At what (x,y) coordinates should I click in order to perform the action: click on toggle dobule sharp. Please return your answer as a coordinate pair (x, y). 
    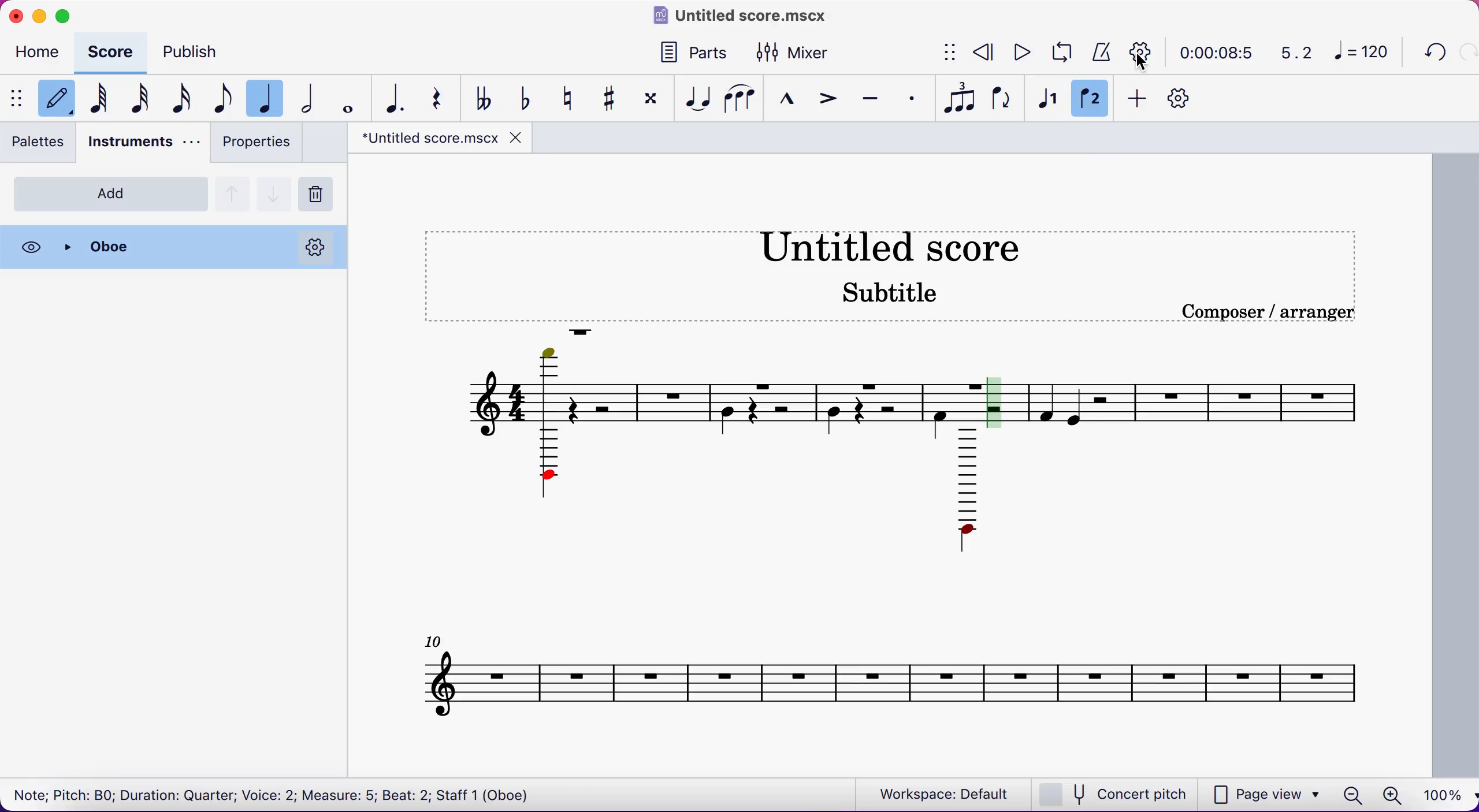
    Looking at the image, I should click on (653, 102).